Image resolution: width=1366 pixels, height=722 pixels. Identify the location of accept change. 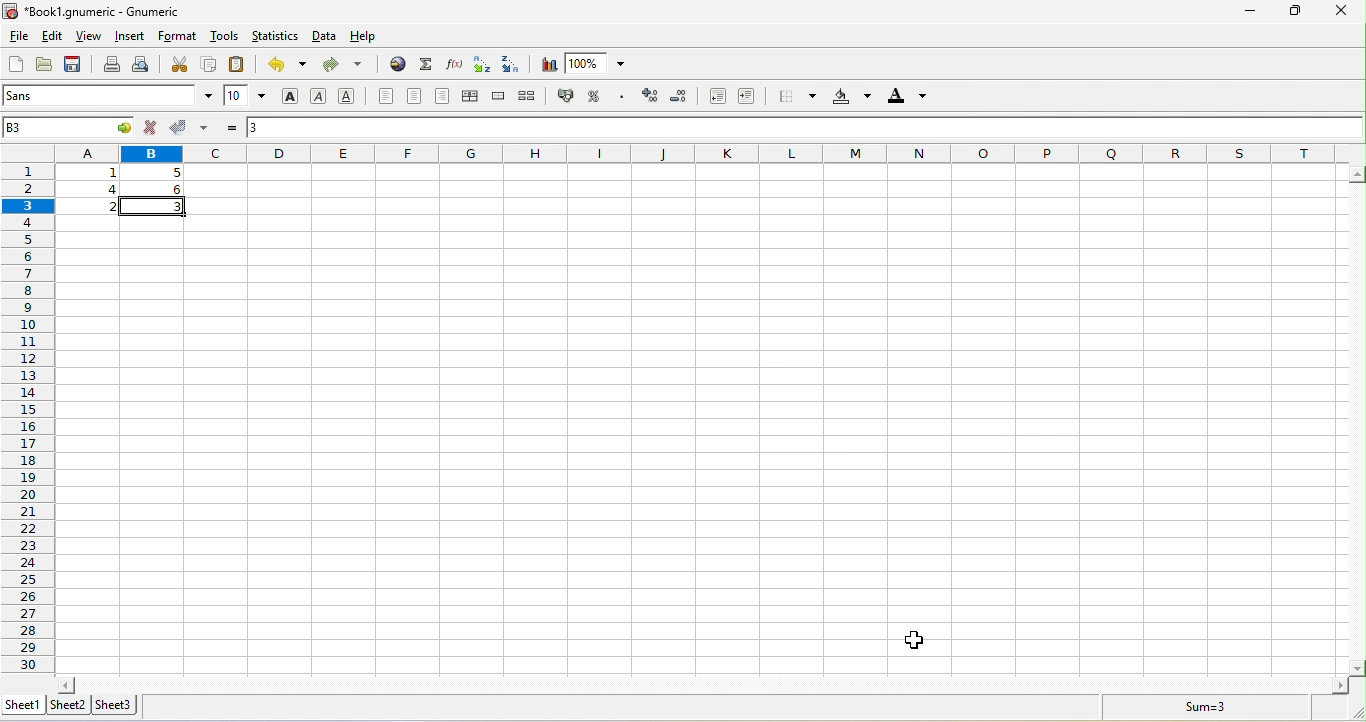
(192, 127).